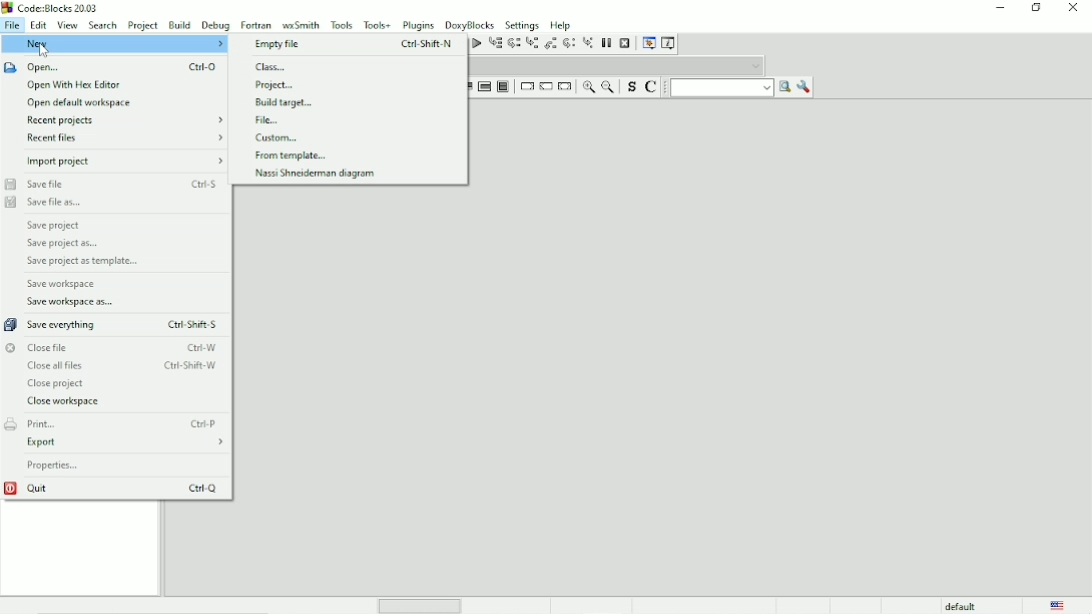  What do you see at coordinates (653, 86) in the screenshot?
I see `Toggle comments` at bounding box center [653, 86].